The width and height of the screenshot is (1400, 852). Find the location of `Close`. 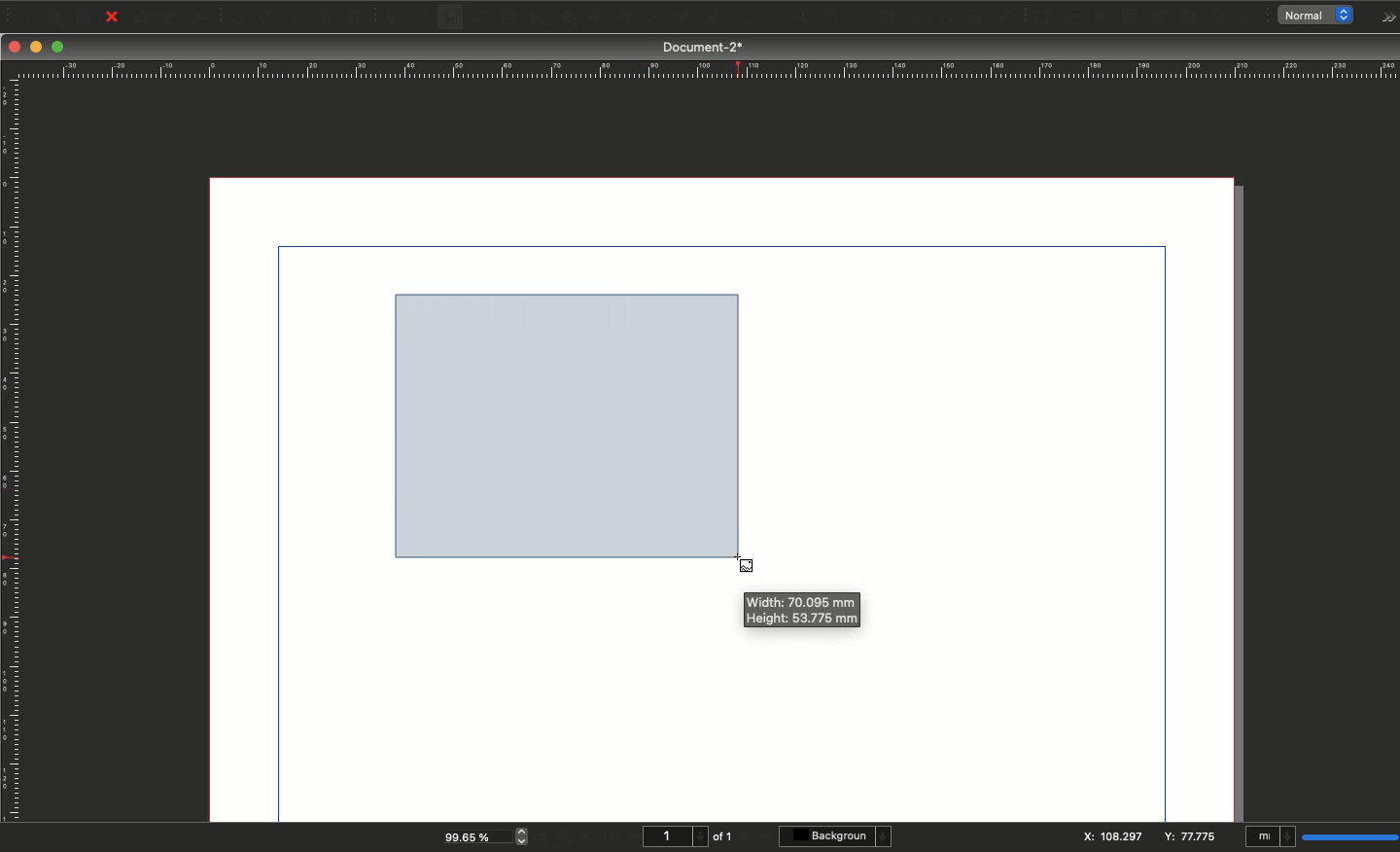

Close is located at coordinates (112, 18).